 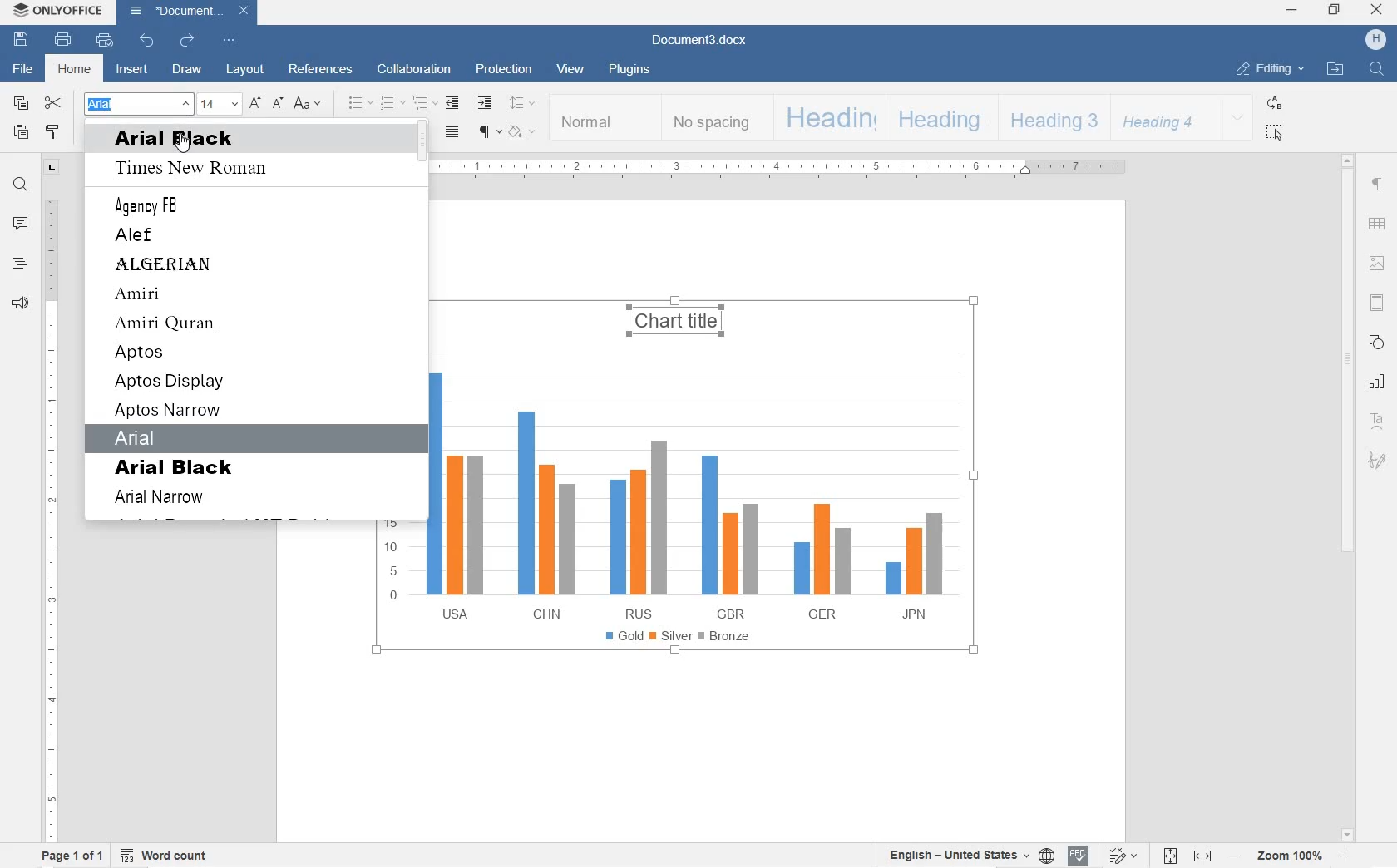 What do you see at coordinates (169, 264) in the screenshot?
I see `ALGERIAN` at bounding box center [169, 264].